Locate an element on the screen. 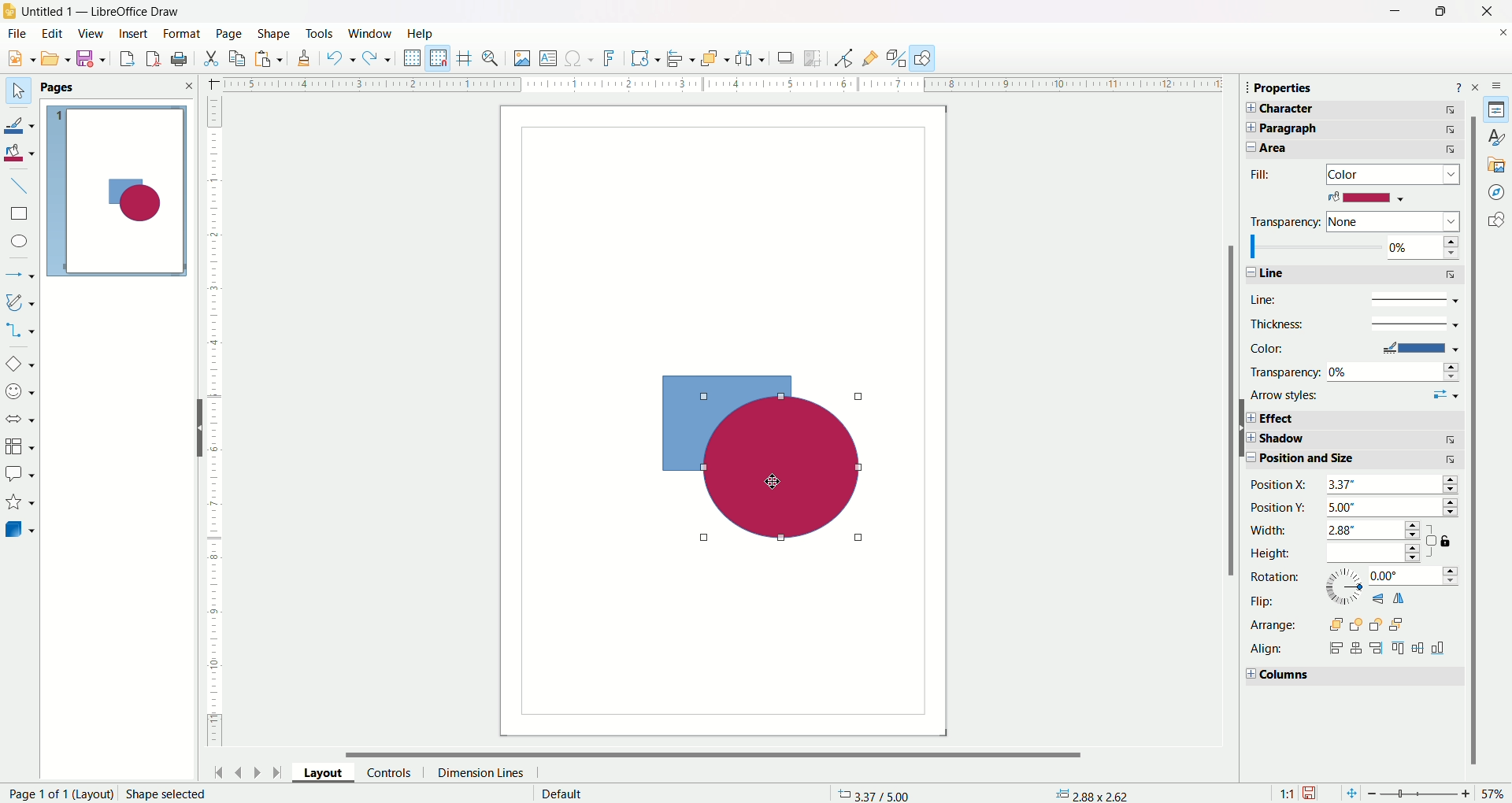 This screenshot has height=803, width=1512. paste is located at coordinates (240, 57).